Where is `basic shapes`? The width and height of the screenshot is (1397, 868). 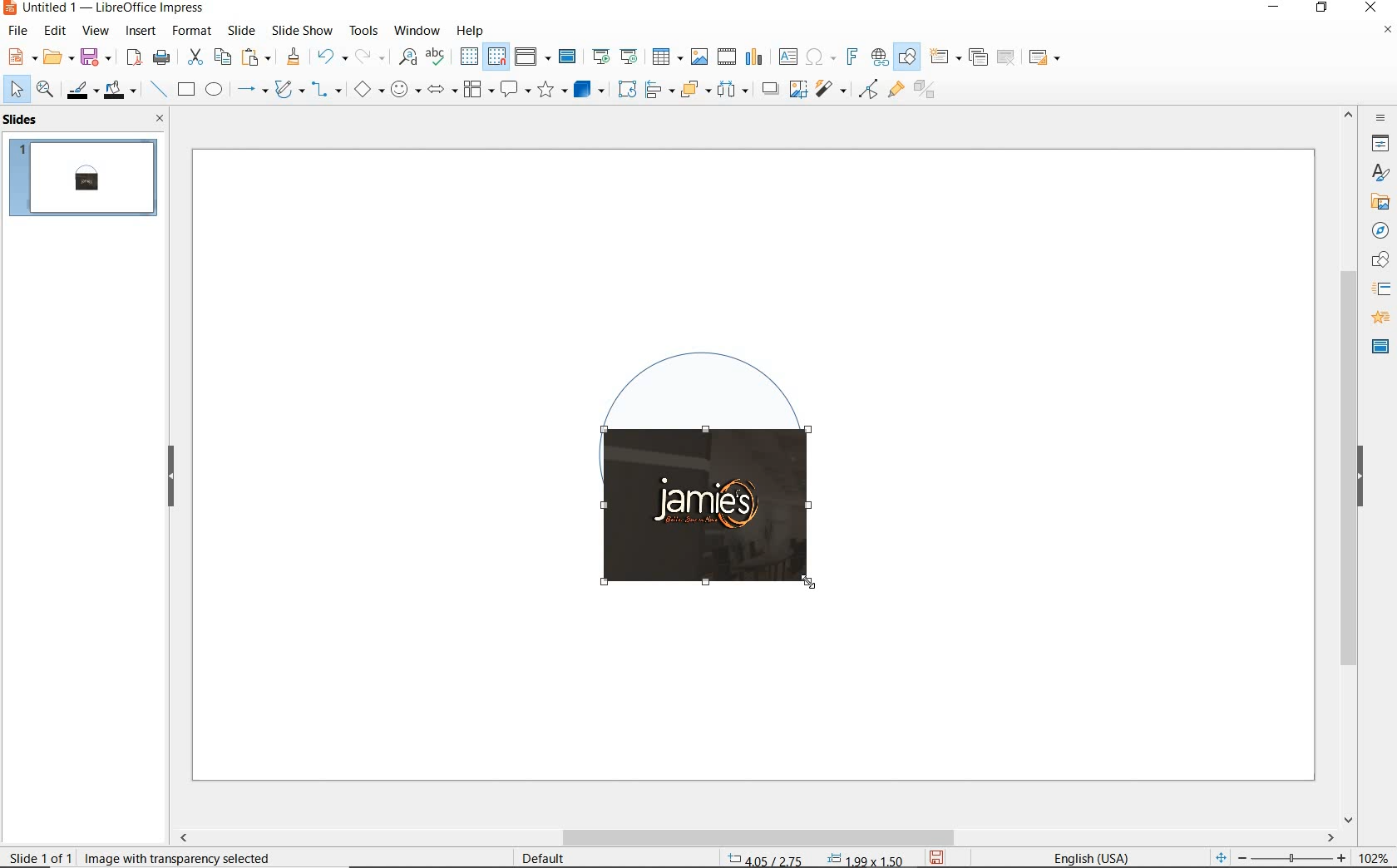 basic shapes is located at coordinates (368, 91).